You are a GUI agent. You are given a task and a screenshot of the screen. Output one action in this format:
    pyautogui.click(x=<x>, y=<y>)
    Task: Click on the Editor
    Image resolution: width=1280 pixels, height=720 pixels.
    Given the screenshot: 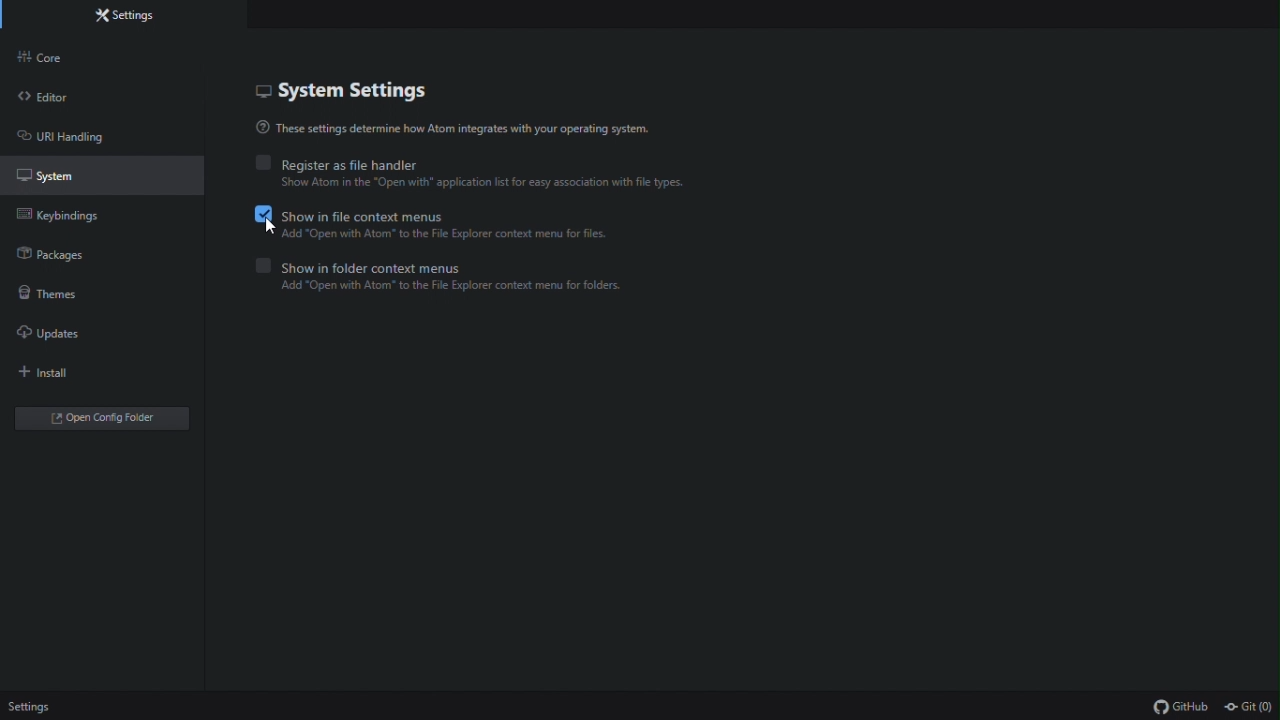 What is the action you would take?
    pyautogui.click(x=57, y=96)
    